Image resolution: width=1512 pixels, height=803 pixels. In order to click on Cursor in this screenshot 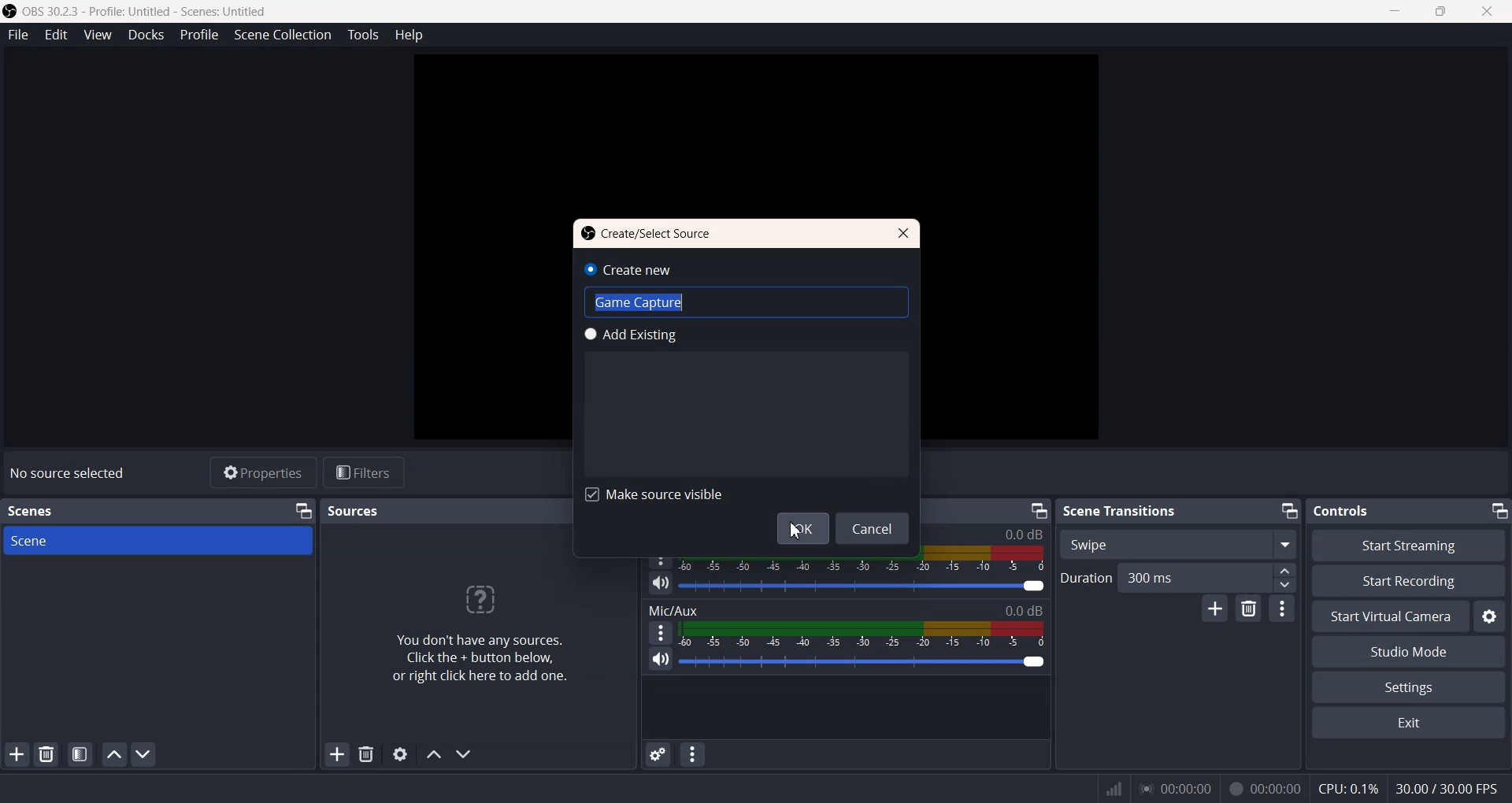, I will do `click(799, 530)`.